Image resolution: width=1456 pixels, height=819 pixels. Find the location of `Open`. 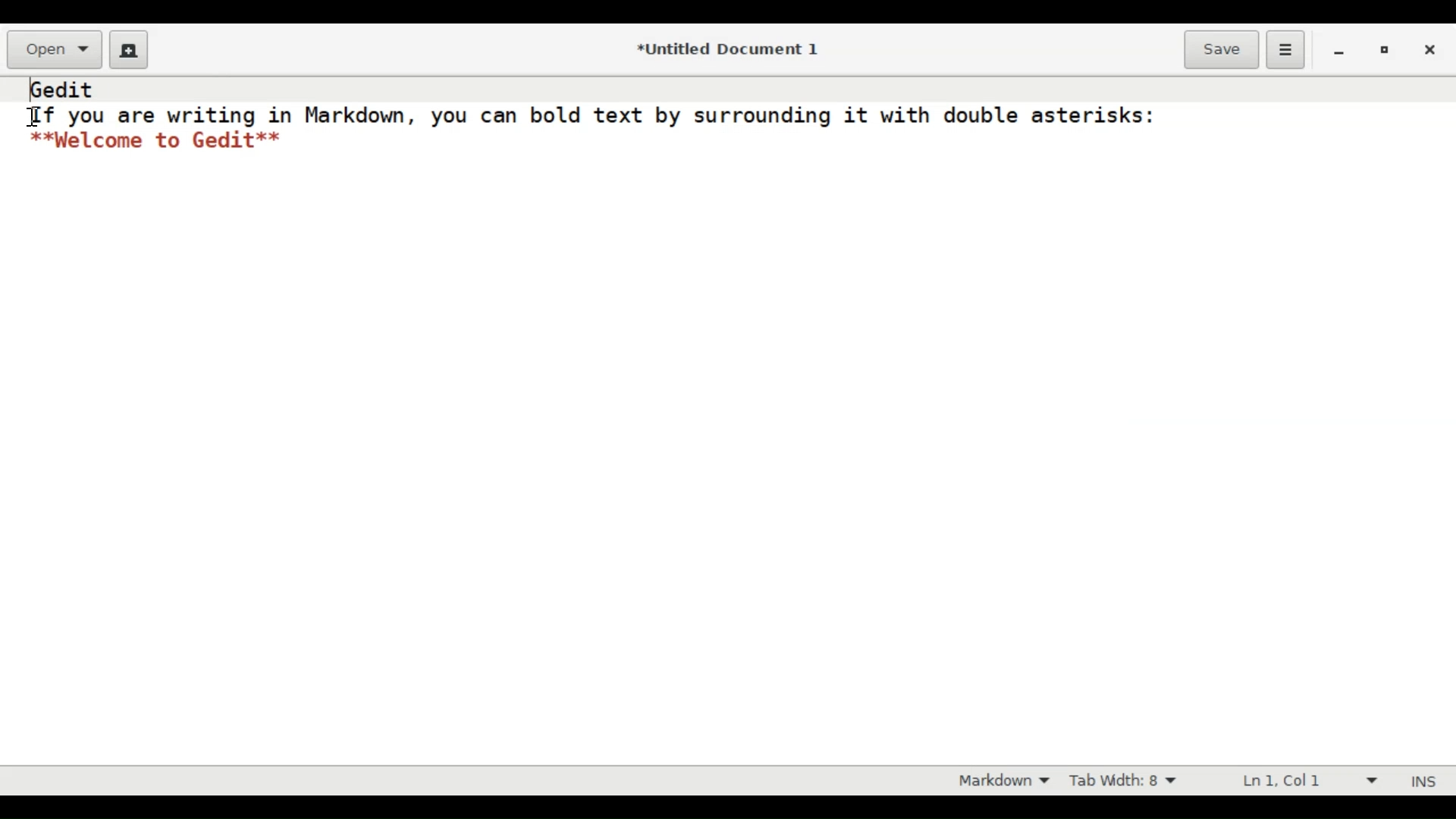

Open is located at coordinates (54, 49).